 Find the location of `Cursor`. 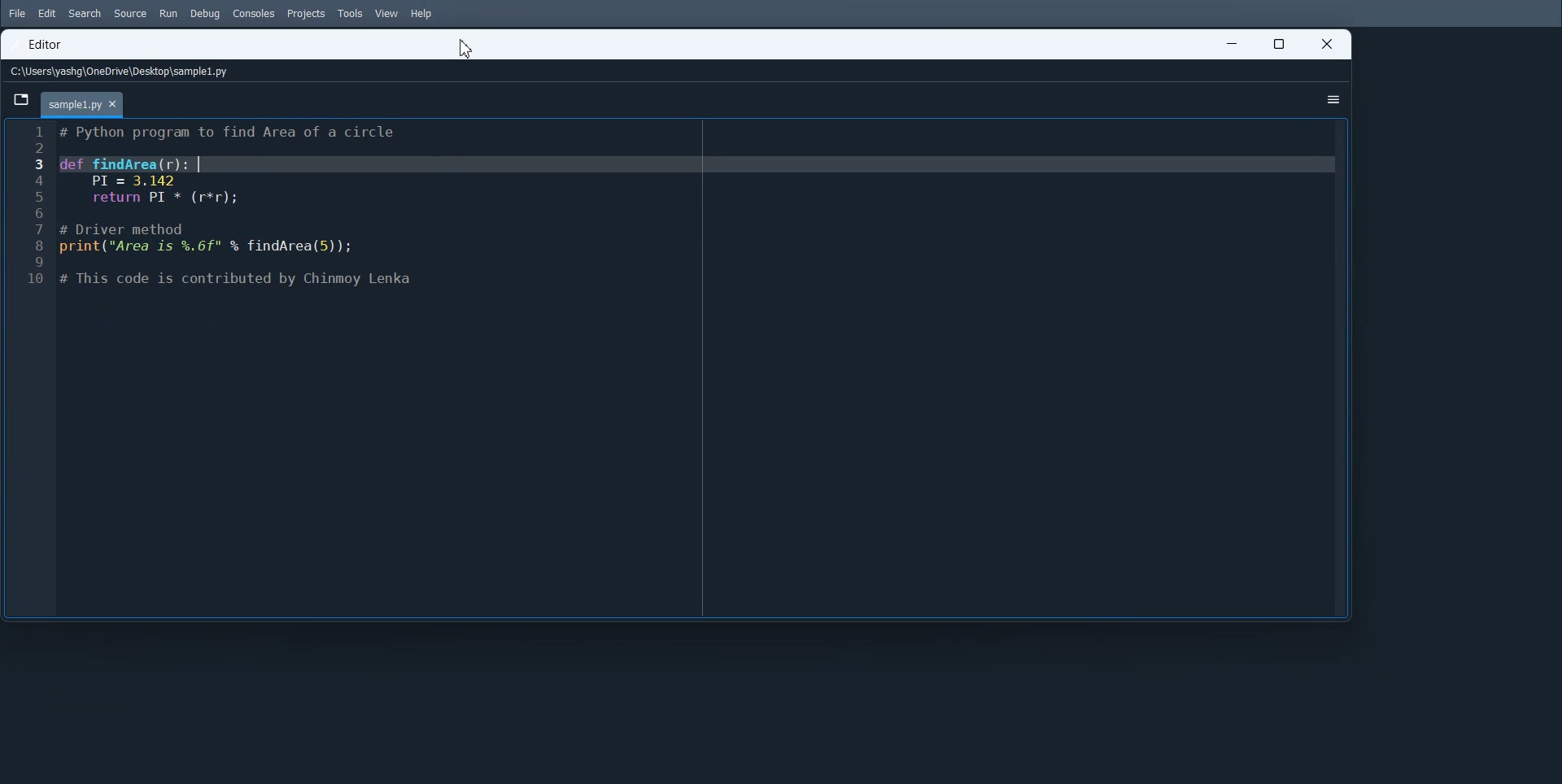

Cursor is located at coordinates (466, 48).